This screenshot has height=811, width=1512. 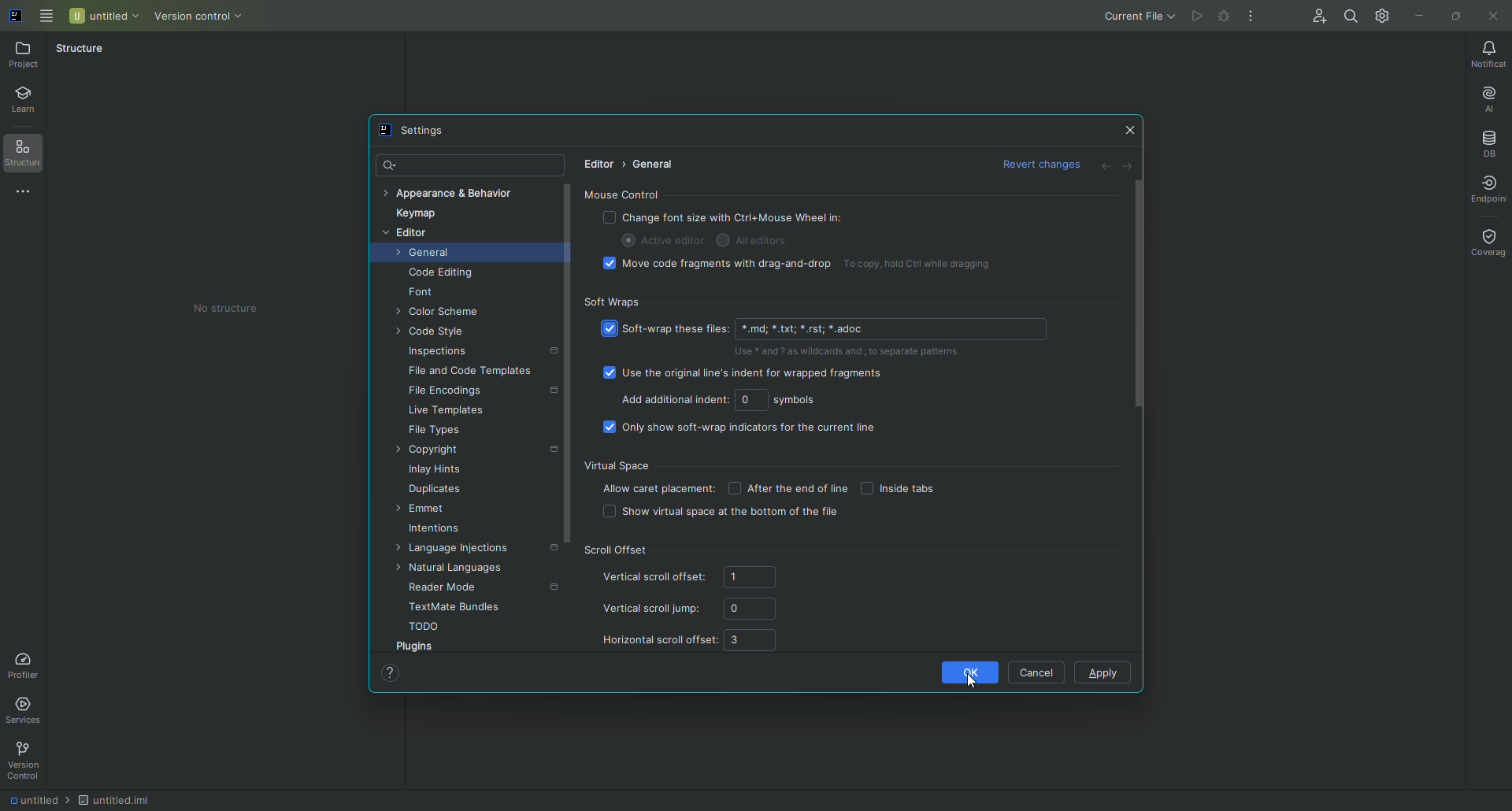 I want to click on Settings, so click(x=418, y=131).